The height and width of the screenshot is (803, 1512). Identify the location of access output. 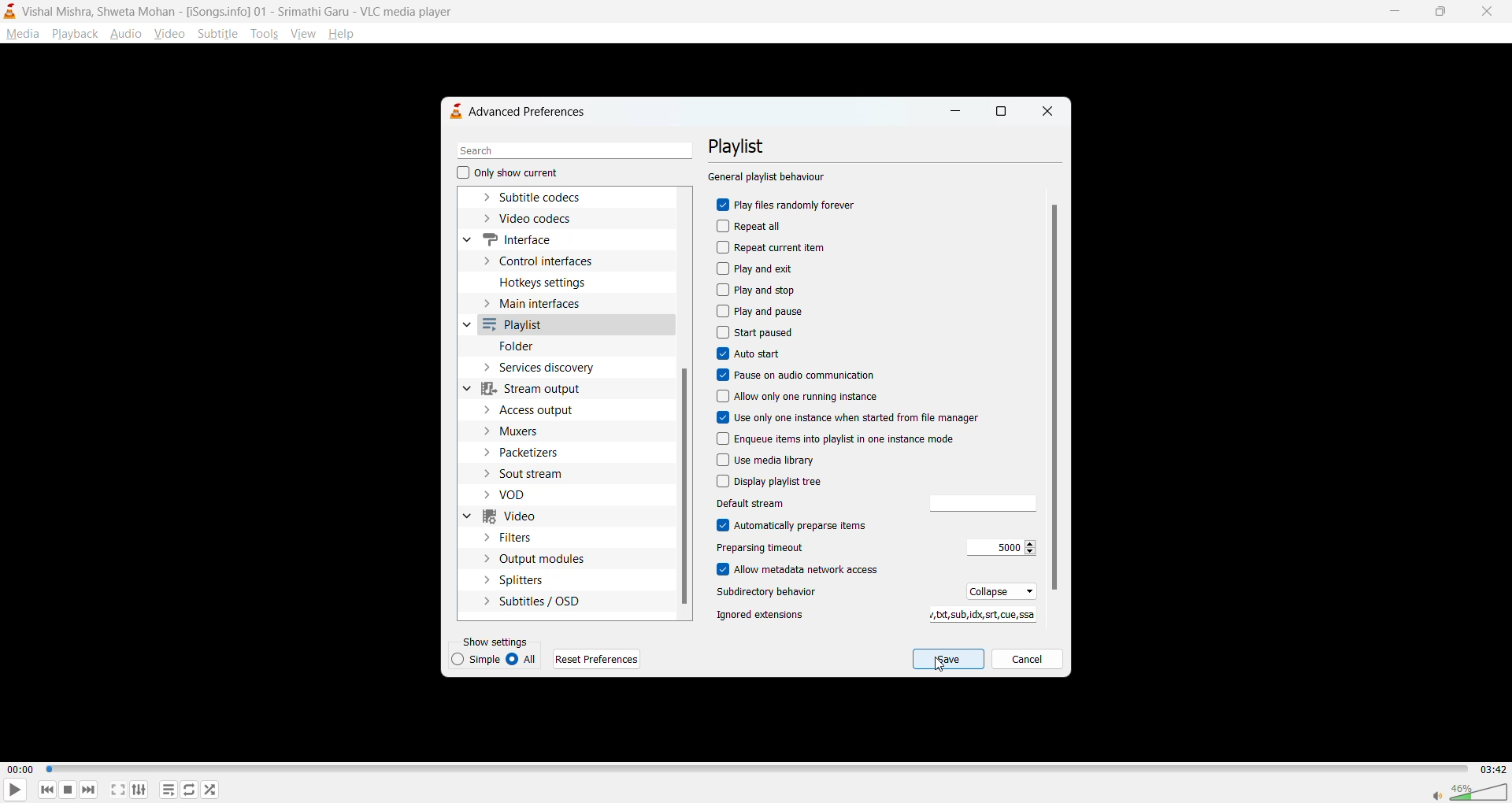
(535, 409).